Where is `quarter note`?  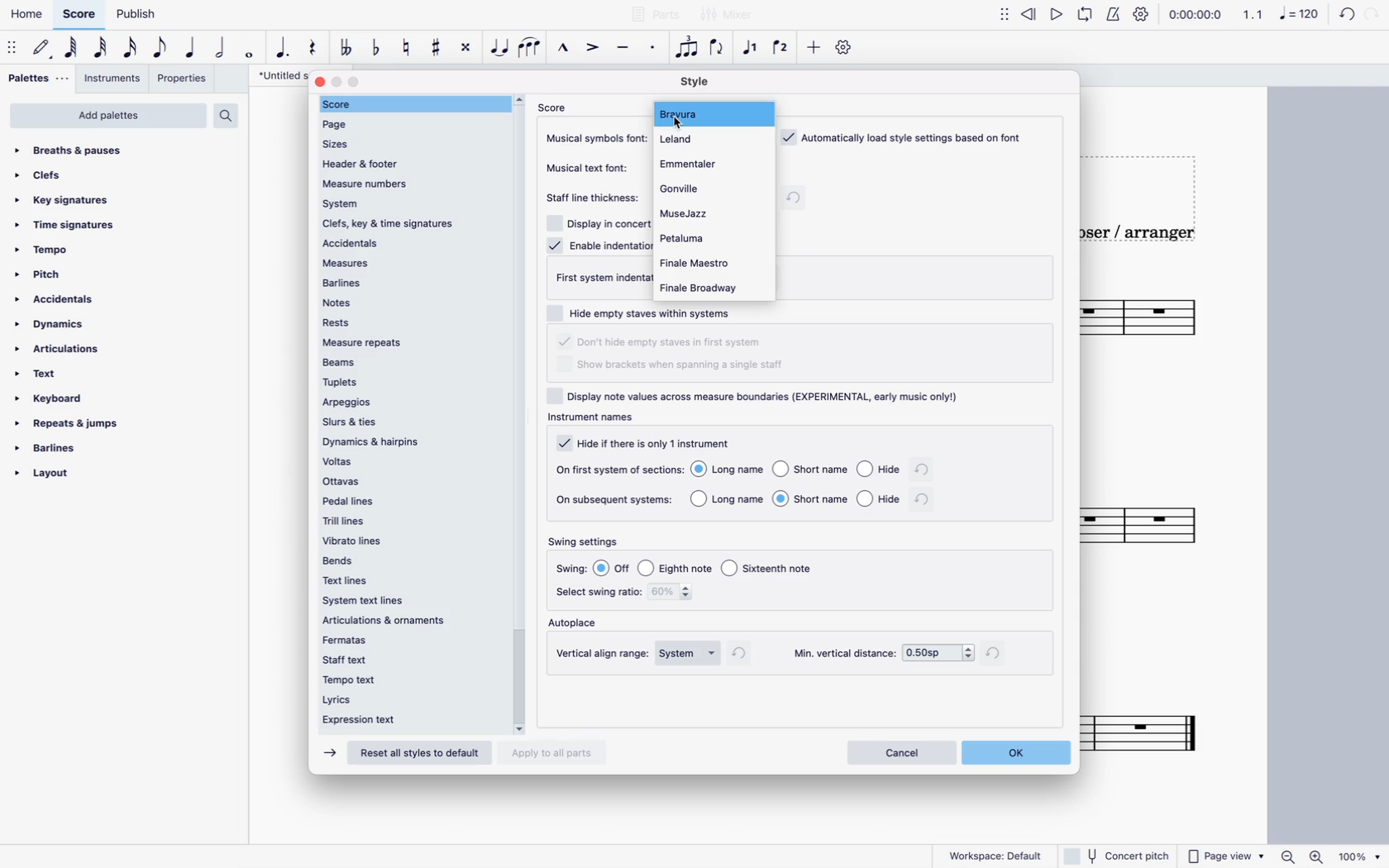 quarter note is located at coordinates (194, 51).